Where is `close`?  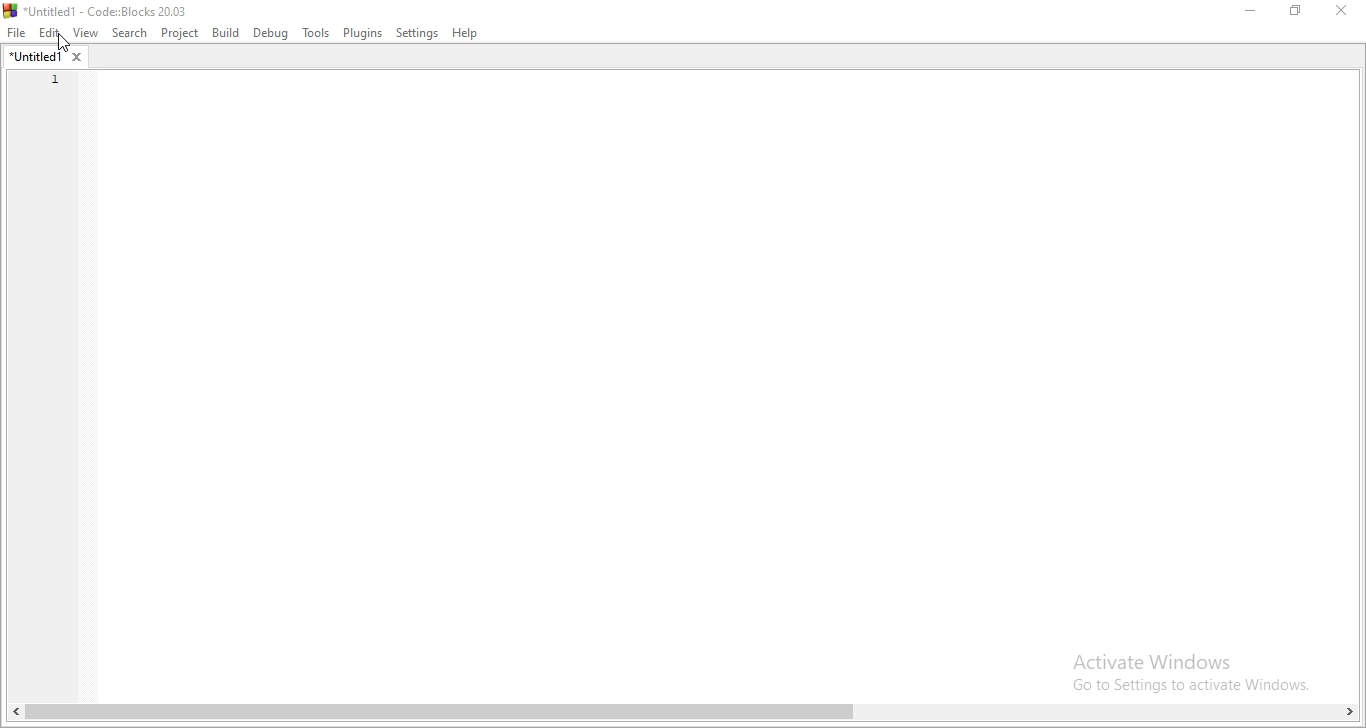 close is located at coordinates (1338, 12).